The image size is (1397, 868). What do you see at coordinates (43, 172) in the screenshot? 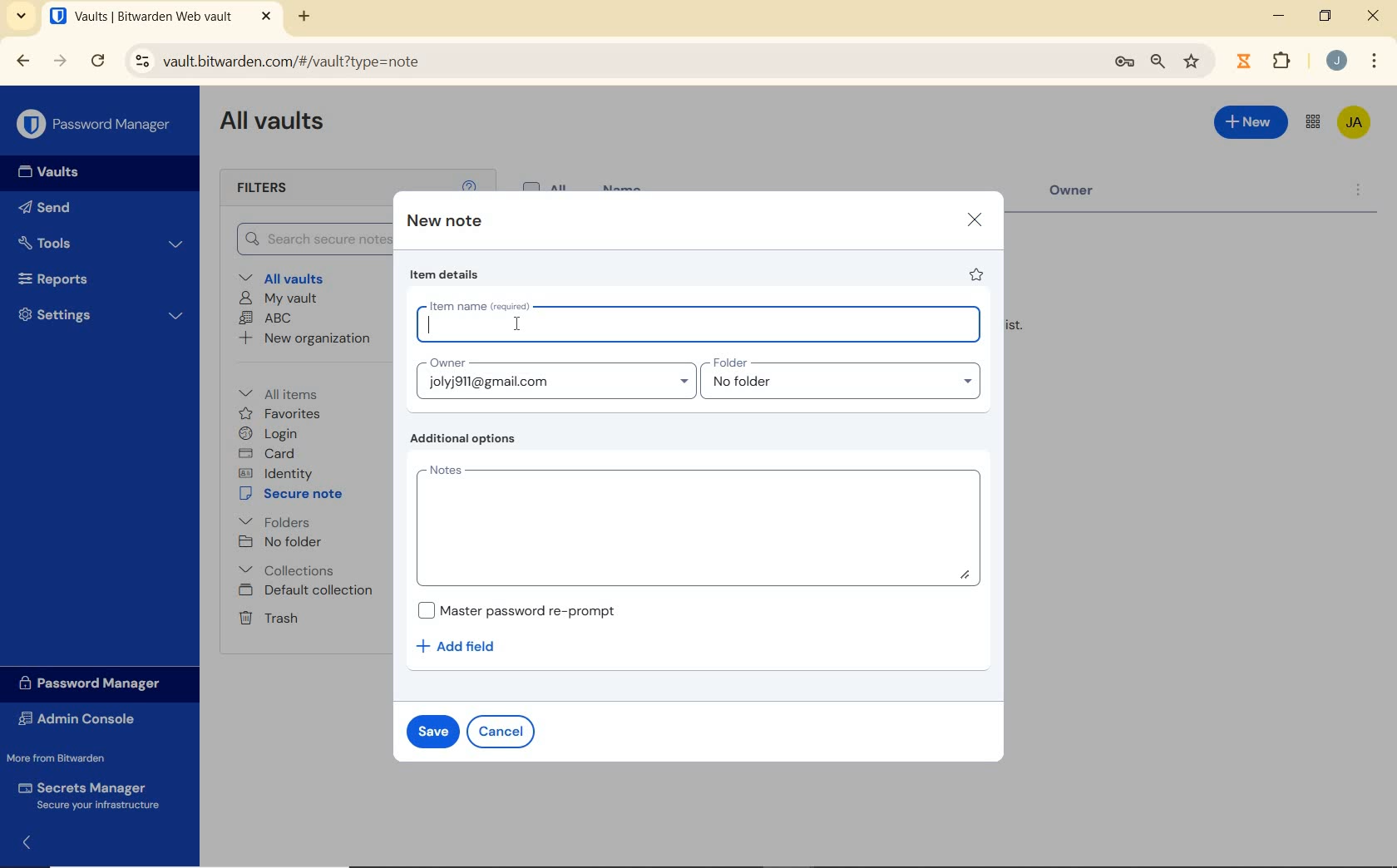
I see `Vaults` at bounding box center [43, 172].